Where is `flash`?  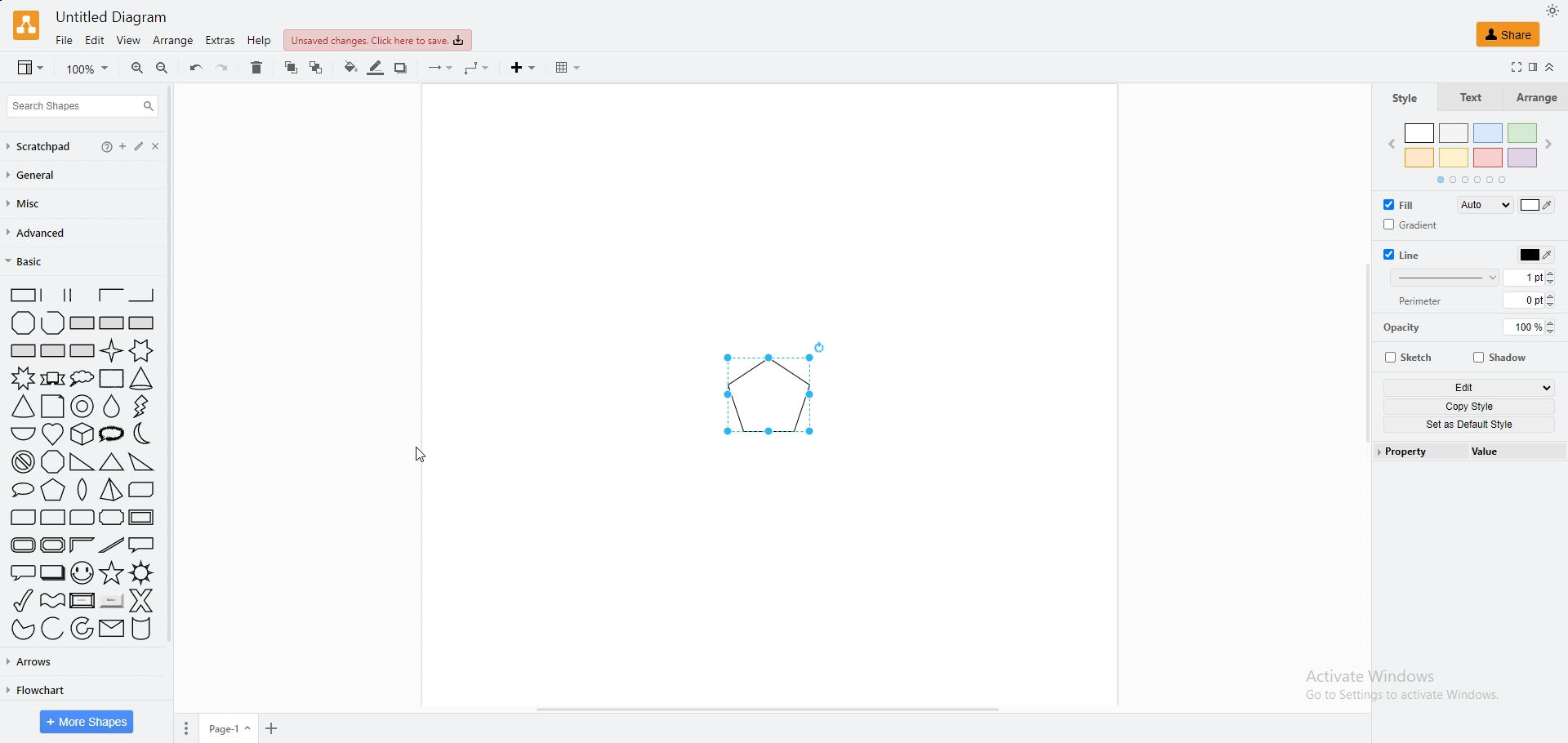
flash is located at coordinates (144, 406).